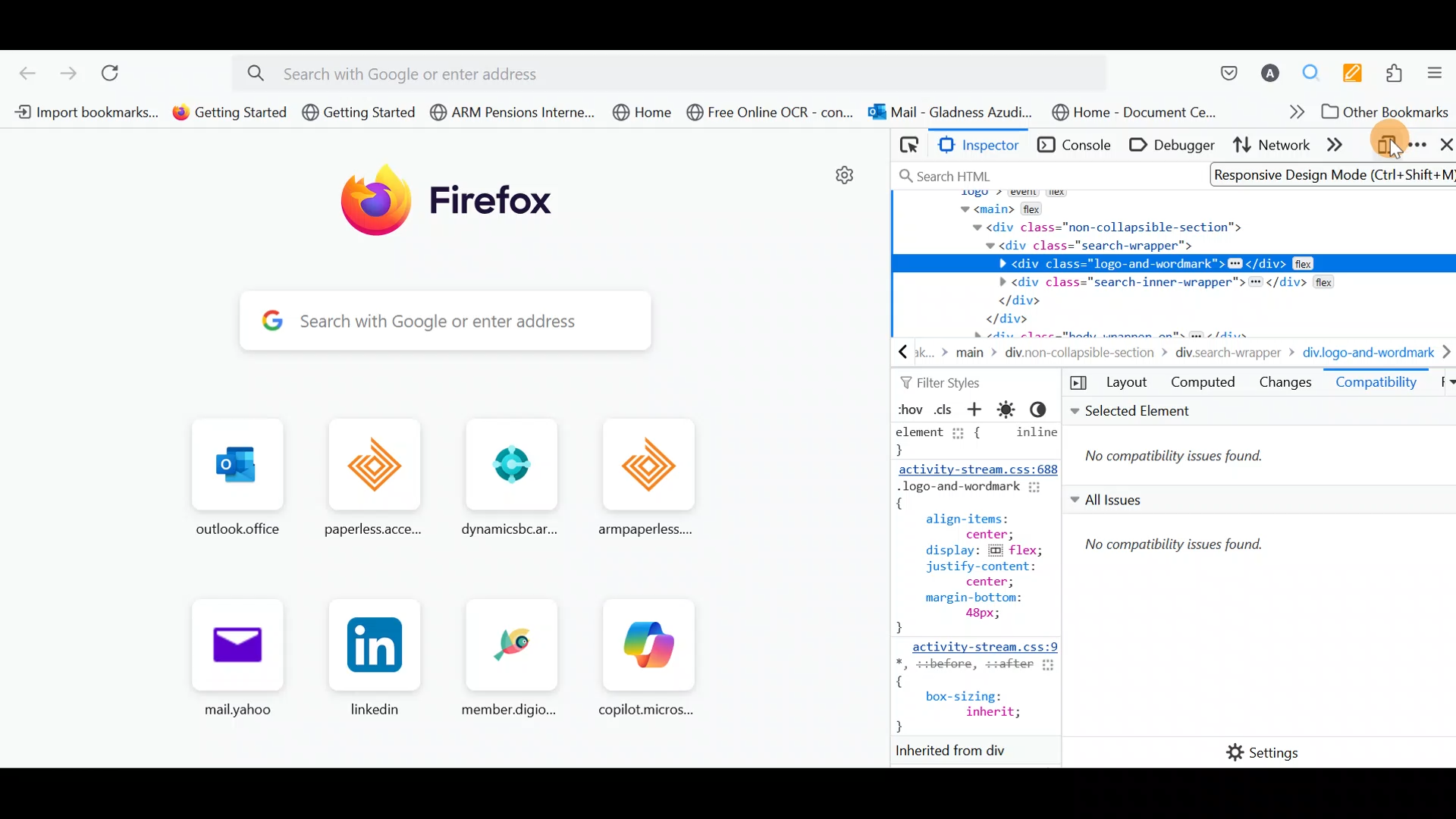 The height and width of the screenshot is (819, 1456). Describe the element at coordinates (115, 71) in the screenshot. I see `Reload current page` at that location.